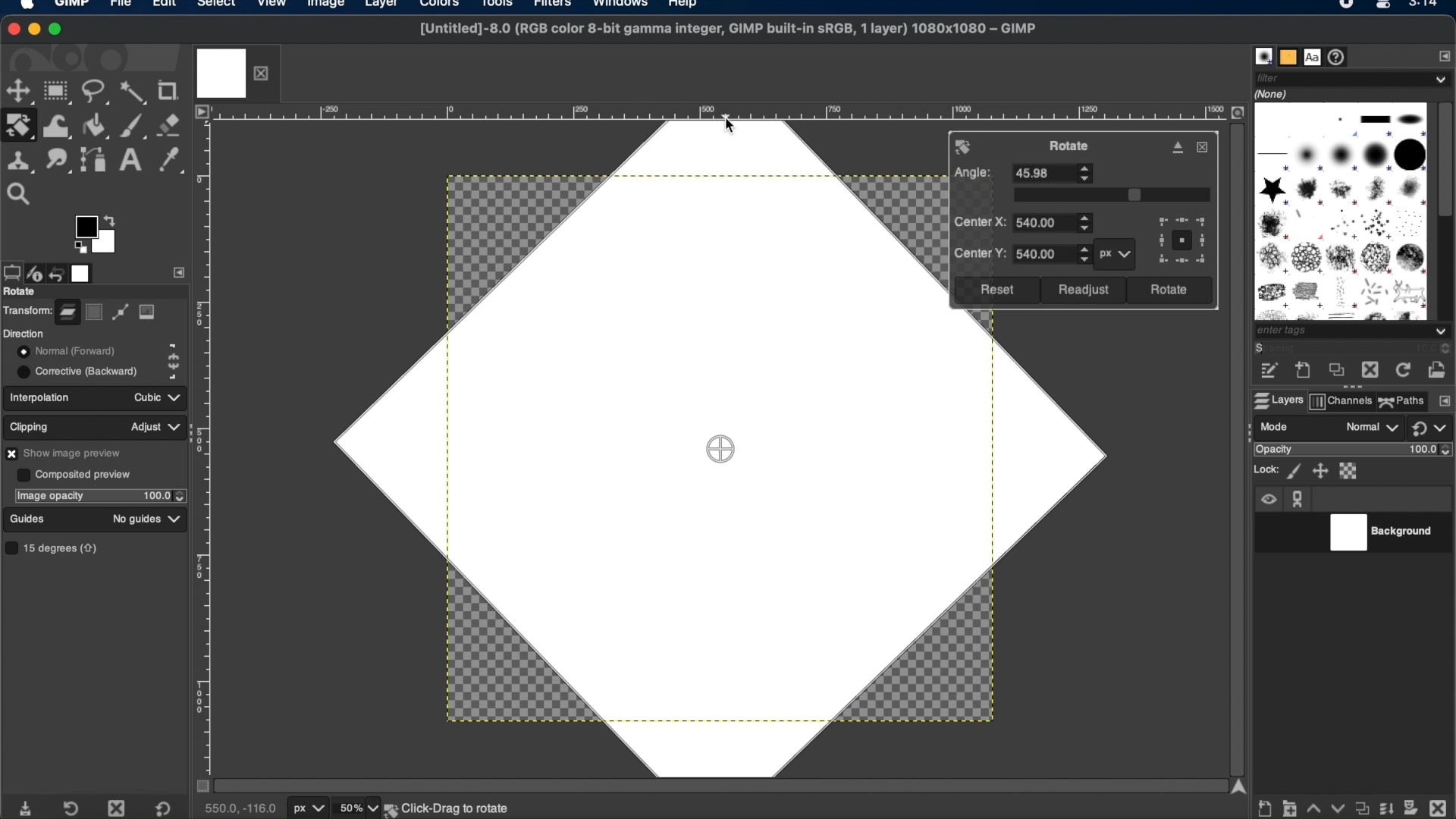 The width and height of the screenshot is (1456, 819). What do you see at coordinates (67, 309) in the screenshot?
I see `layer` at bounding box center [67, 309].